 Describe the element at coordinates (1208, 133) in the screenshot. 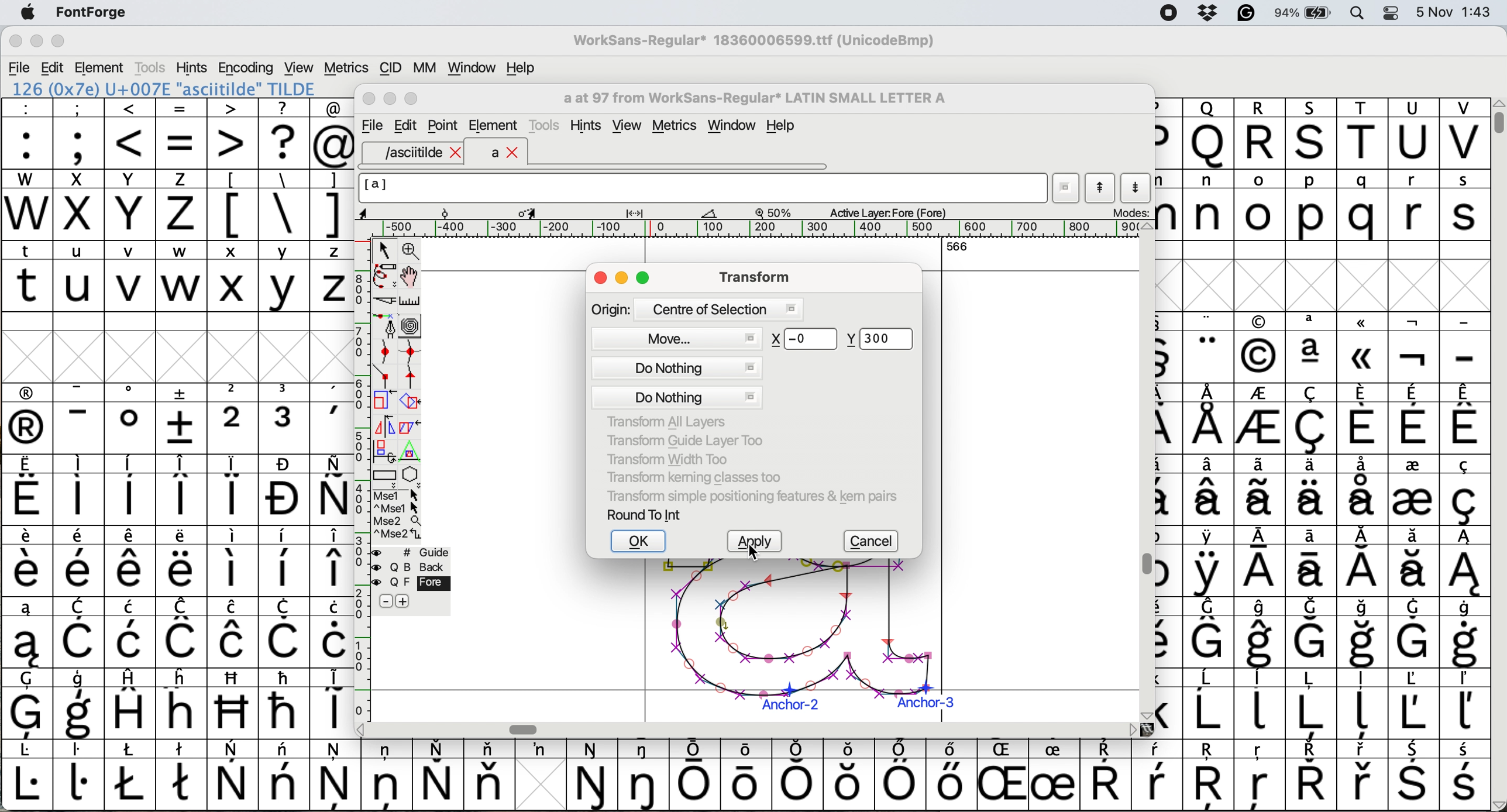

I see `` at that location.